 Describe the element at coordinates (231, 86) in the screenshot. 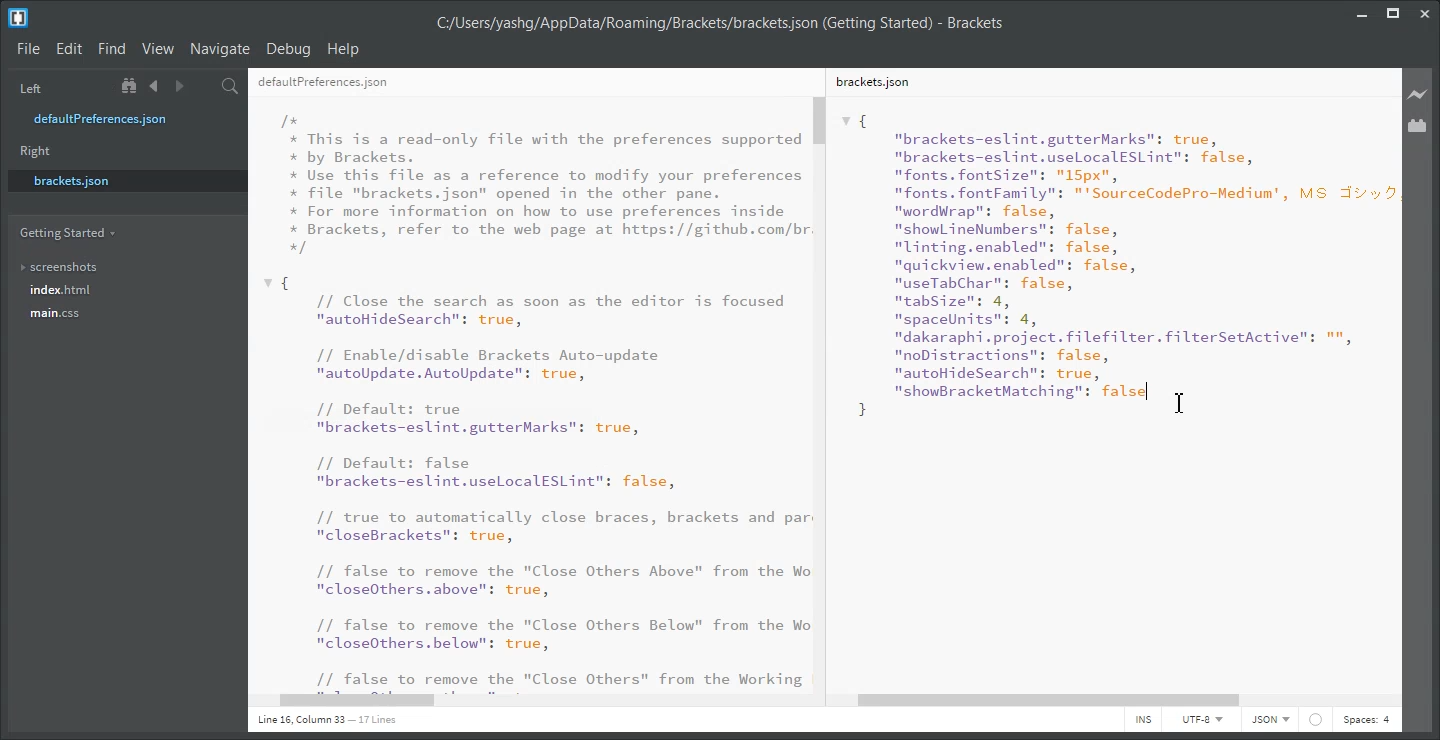

I see `Find in files` at that location.